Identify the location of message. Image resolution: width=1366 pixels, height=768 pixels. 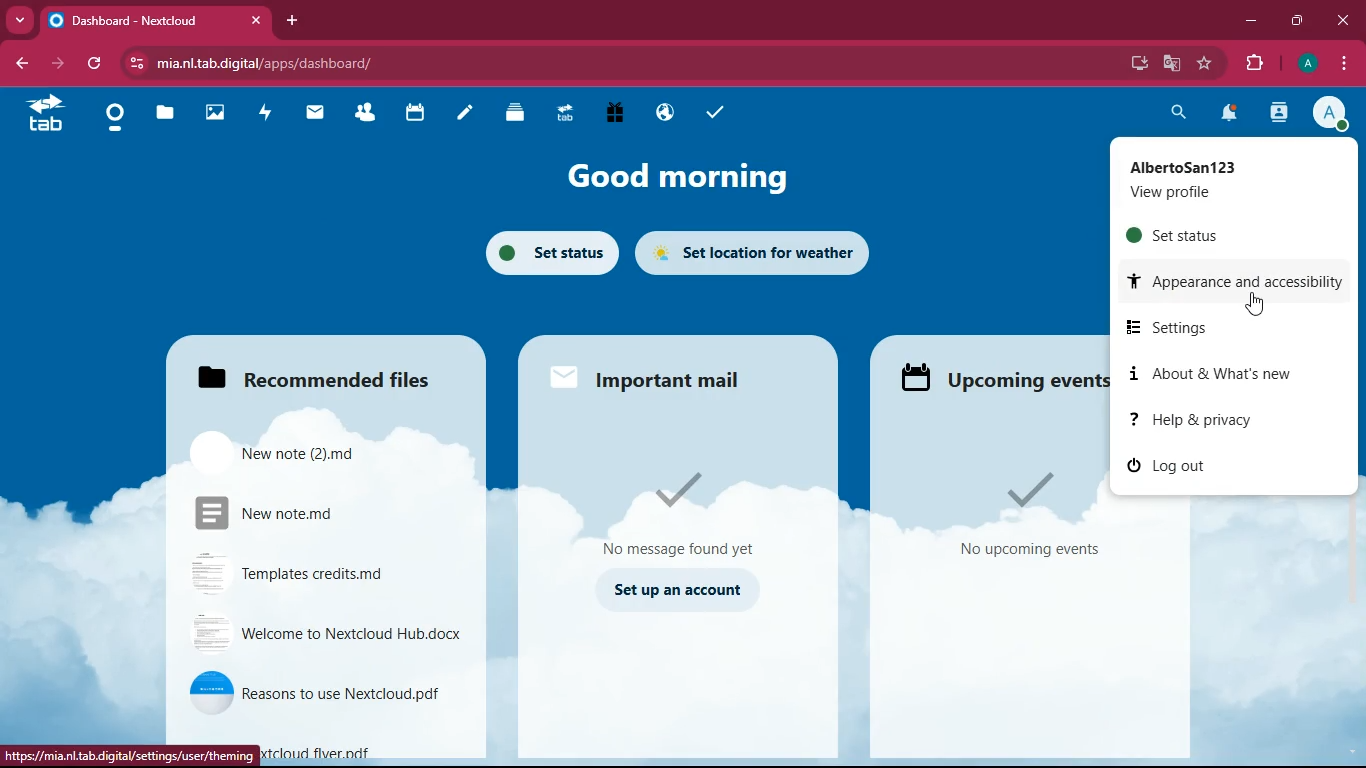
(686, 513).